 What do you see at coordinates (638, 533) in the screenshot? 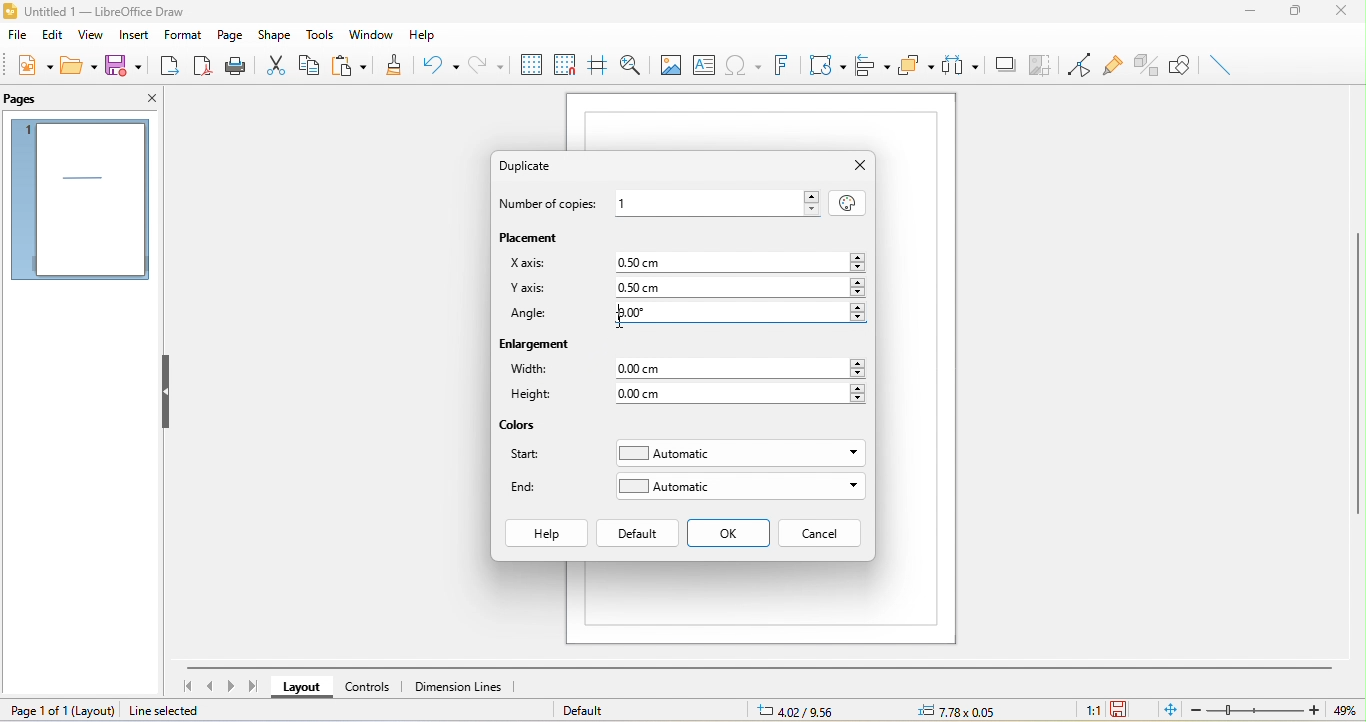
I see `default` at bounding box center [638, 533].